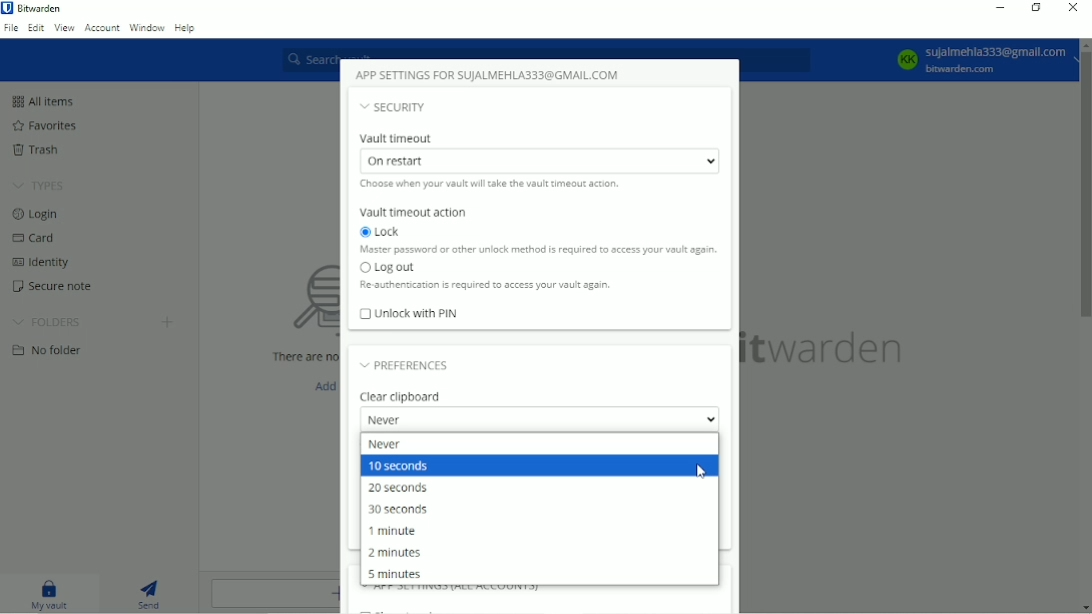 The height and width of the screenshot is (614, 1092). I want to click on Create folder, so click(166, 323).